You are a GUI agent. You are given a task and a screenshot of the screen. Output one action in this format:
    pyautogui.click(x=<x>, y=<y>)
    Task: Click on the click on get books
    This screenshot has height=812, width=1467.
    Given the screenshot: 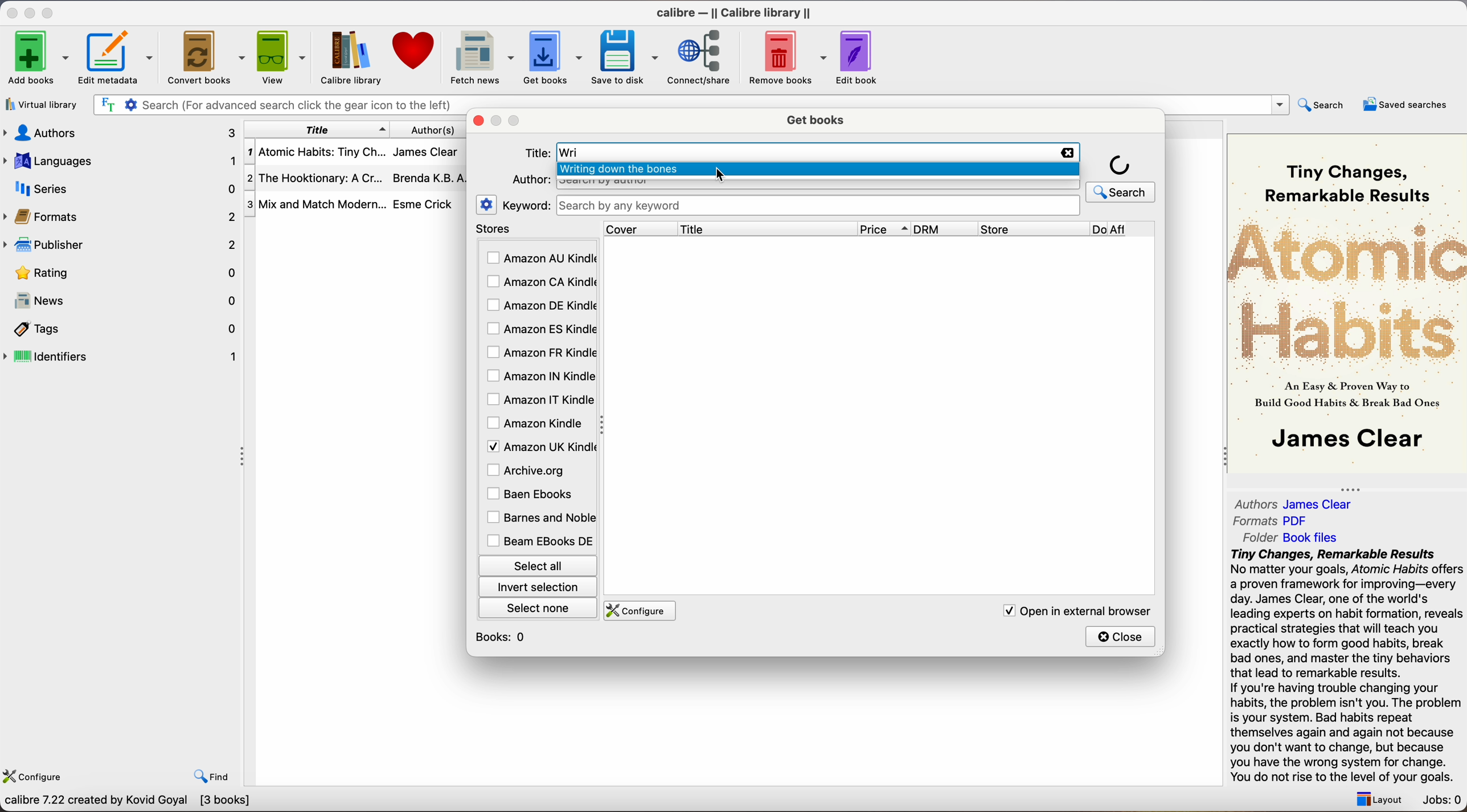 What is the action you would take?
    pyautogui.click(x=544, y=56)
    